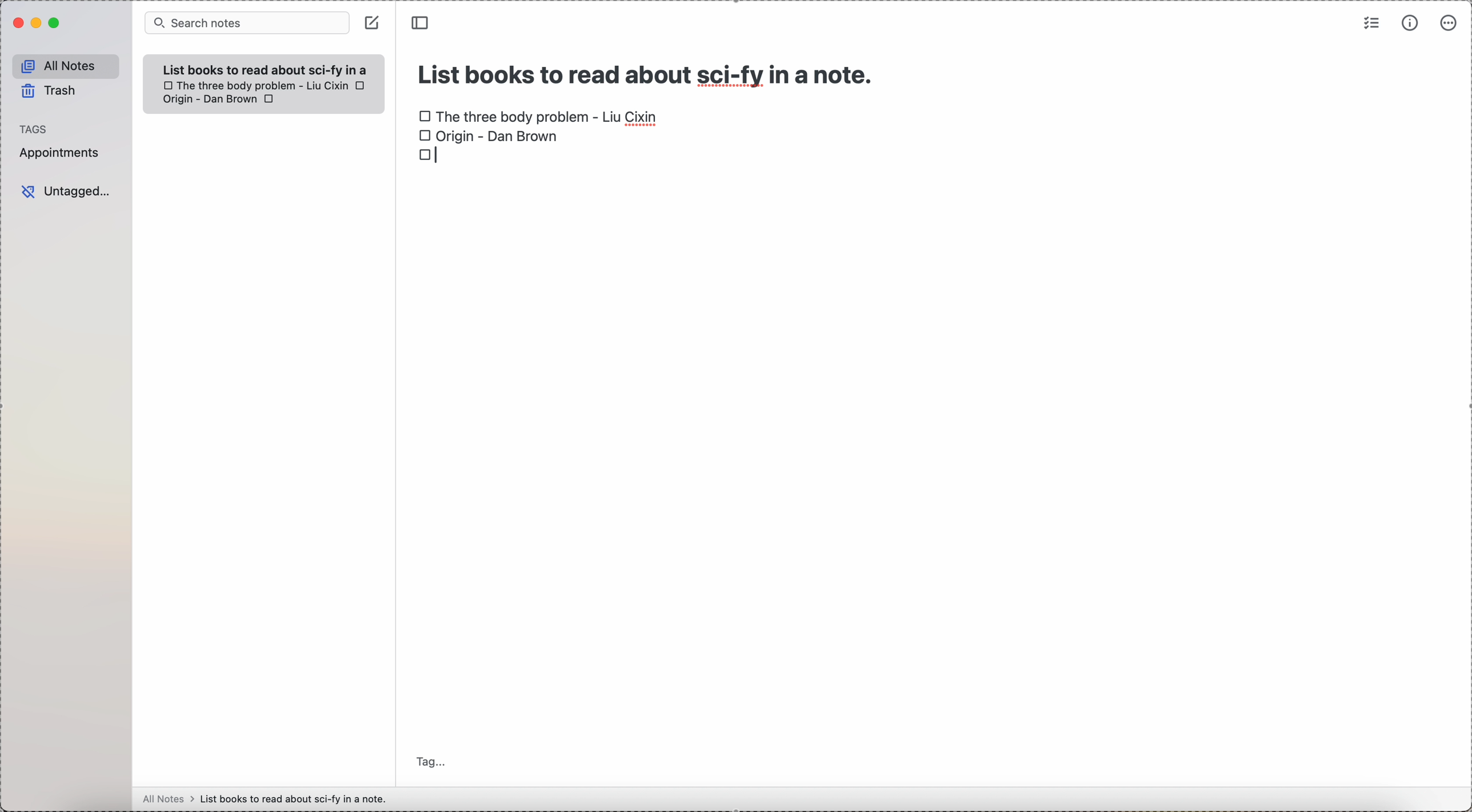 This screenshot has height=812, width=1472. Describe the element at coordinates (270, 67) in the screenshot. I see `List books to read about sci-fy in a note.` at that location.